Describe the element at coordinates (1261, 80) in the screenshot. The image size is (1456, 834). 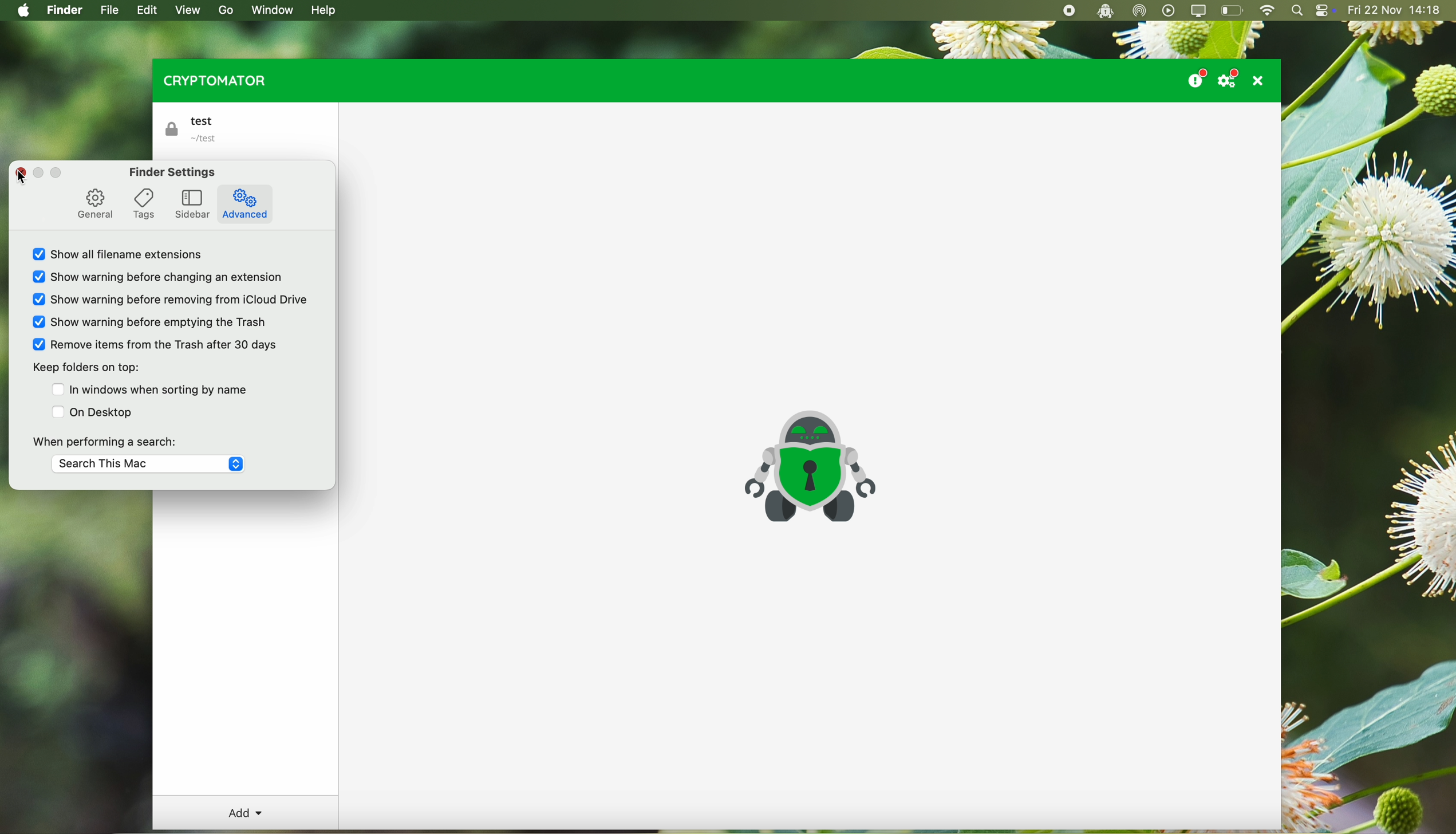
I see `close program` at that location.